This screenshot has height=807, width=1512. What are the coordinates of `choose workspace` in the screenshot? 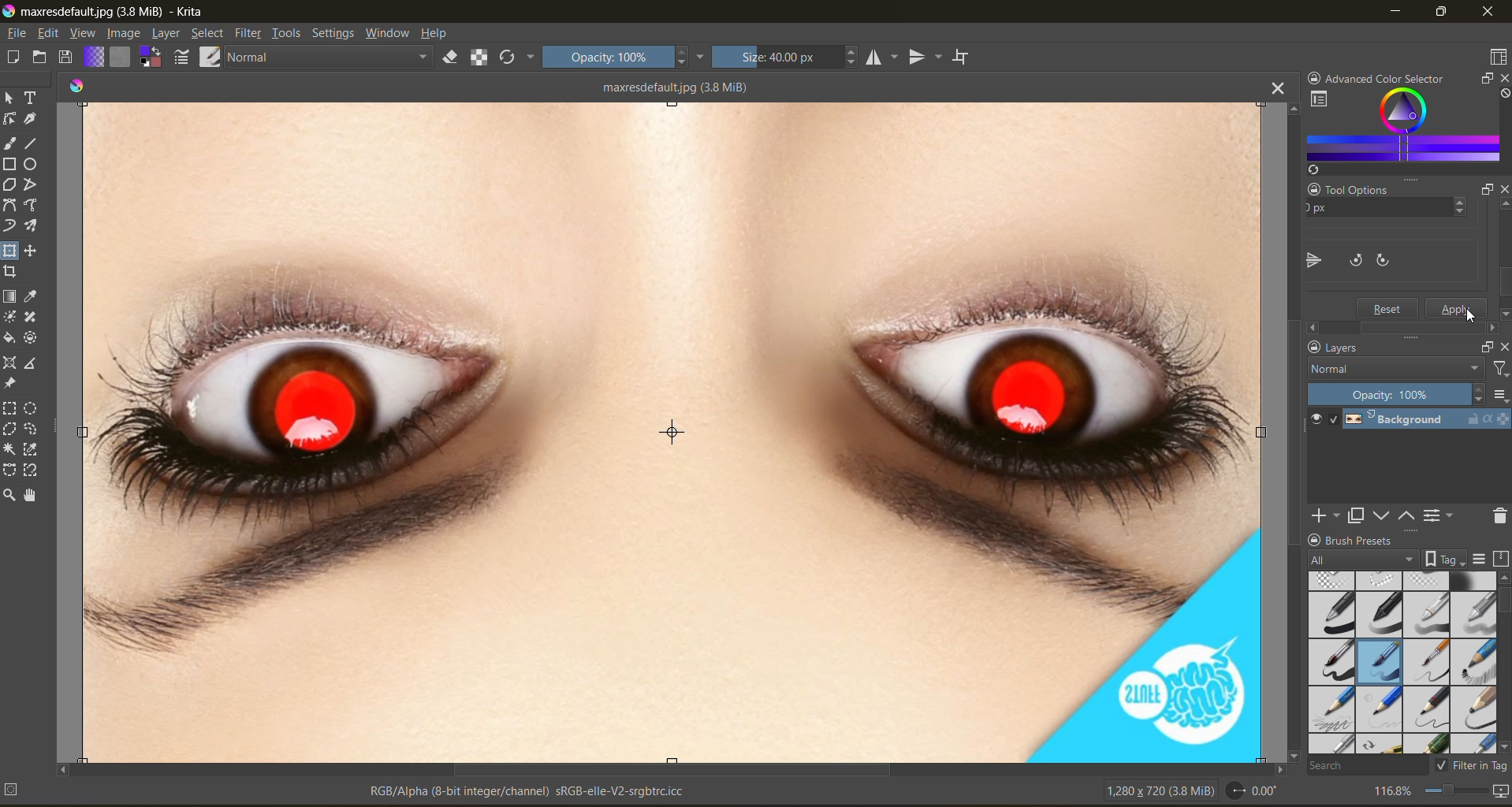 It's located at (1498, 57).